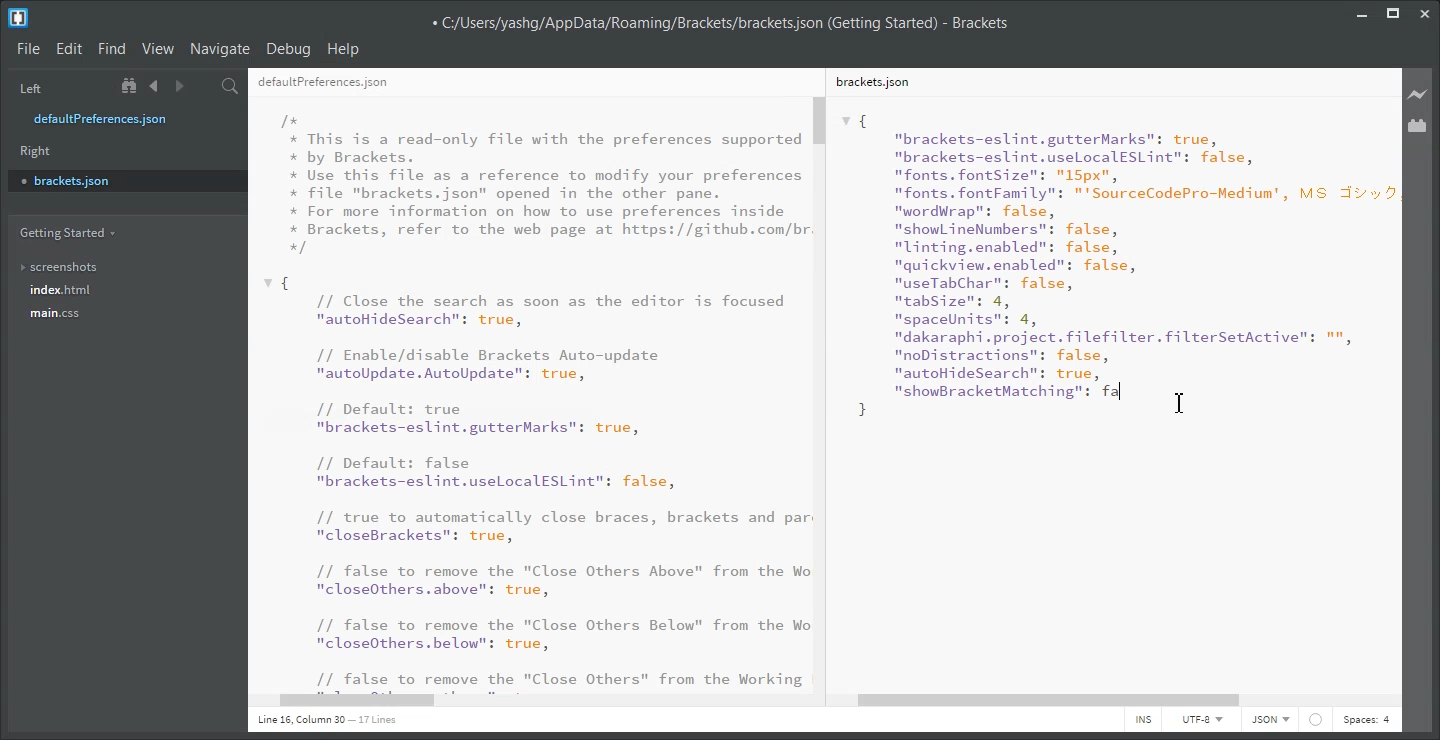  Describe the element at coordinates (58, 313) in the screenshot. I see `main.css` at that location.